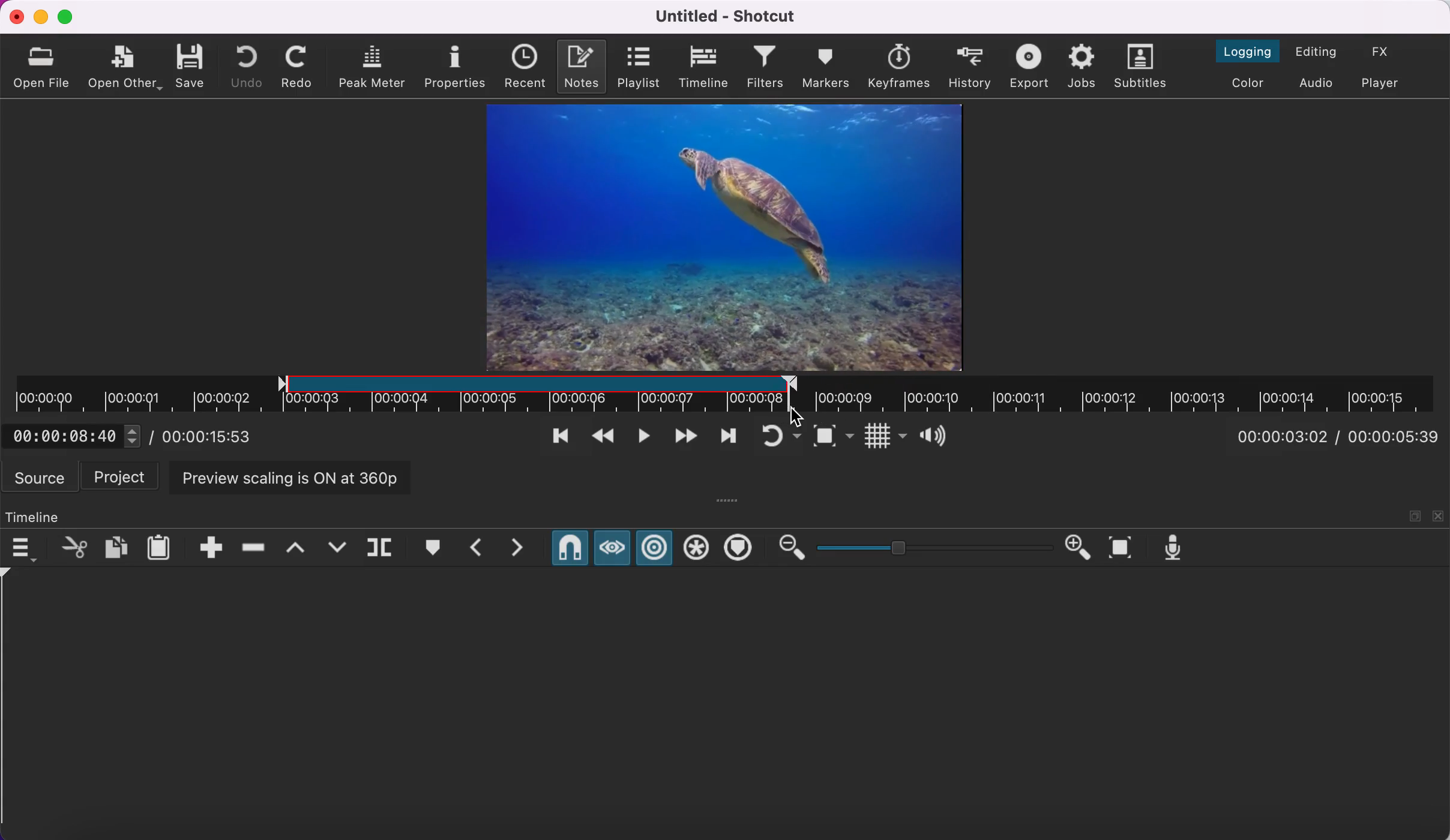 The width and height of the screenshot is (1450, 840). I want to click on open file, so click(44, 64).